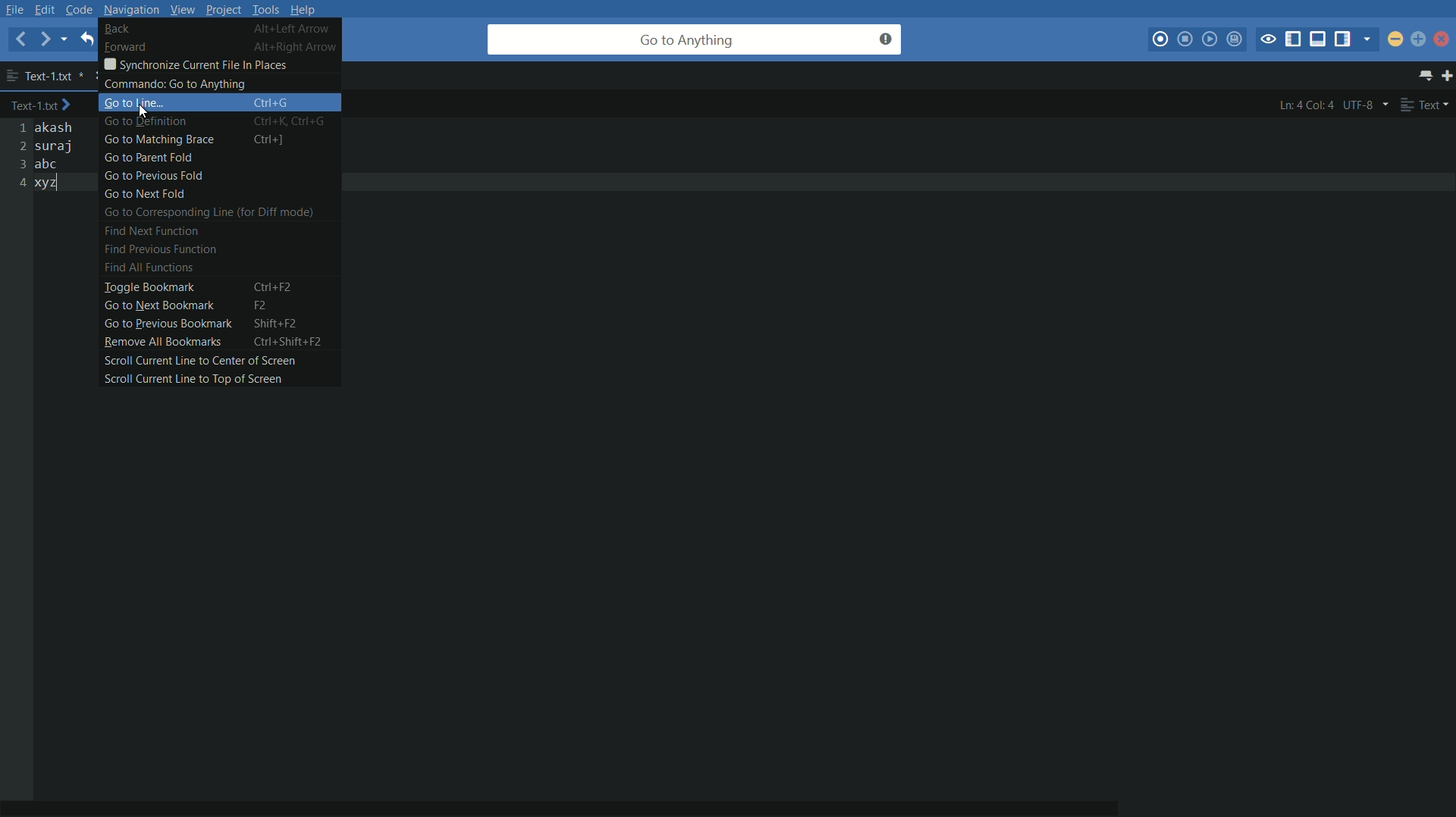 The image size is (1456, 817). Describe the element at coordinates (296, 121) in the screenshot. I see `Ctrl+K, Ctrl+G` at that location.